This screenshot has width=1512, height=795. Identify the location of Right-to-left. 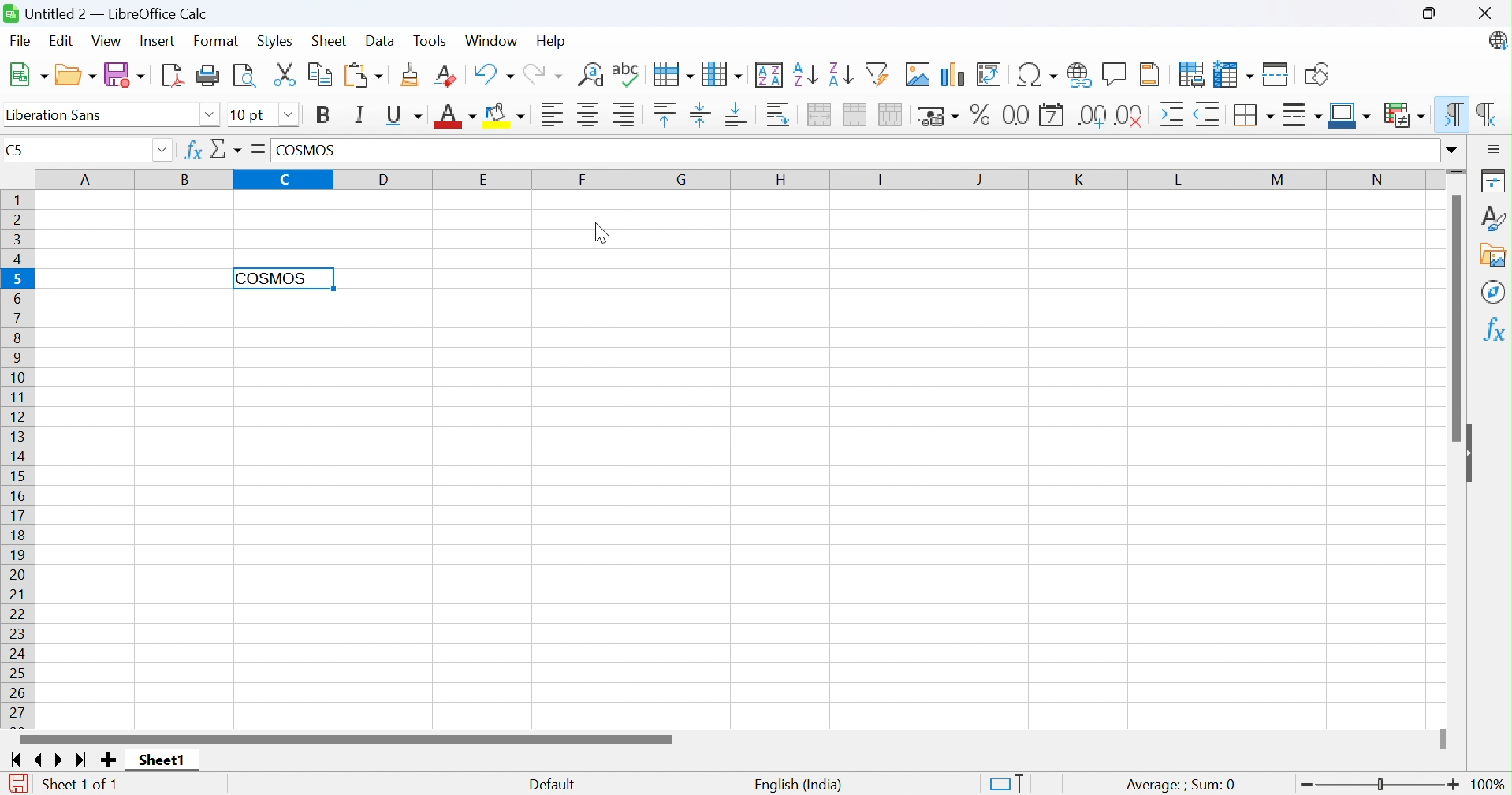
(1484, 114).